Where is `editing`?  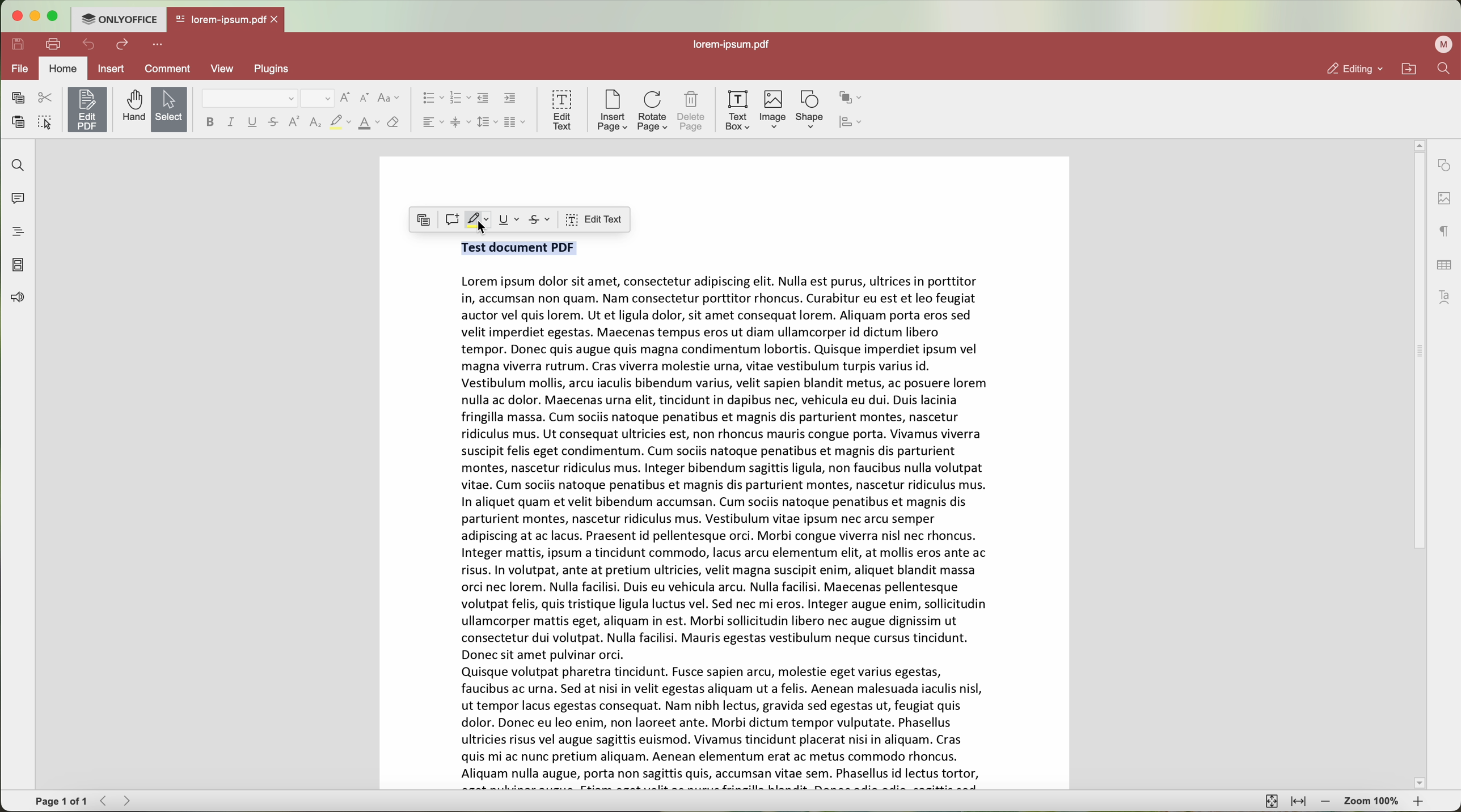
editing is located at coordinates (1353, 69).